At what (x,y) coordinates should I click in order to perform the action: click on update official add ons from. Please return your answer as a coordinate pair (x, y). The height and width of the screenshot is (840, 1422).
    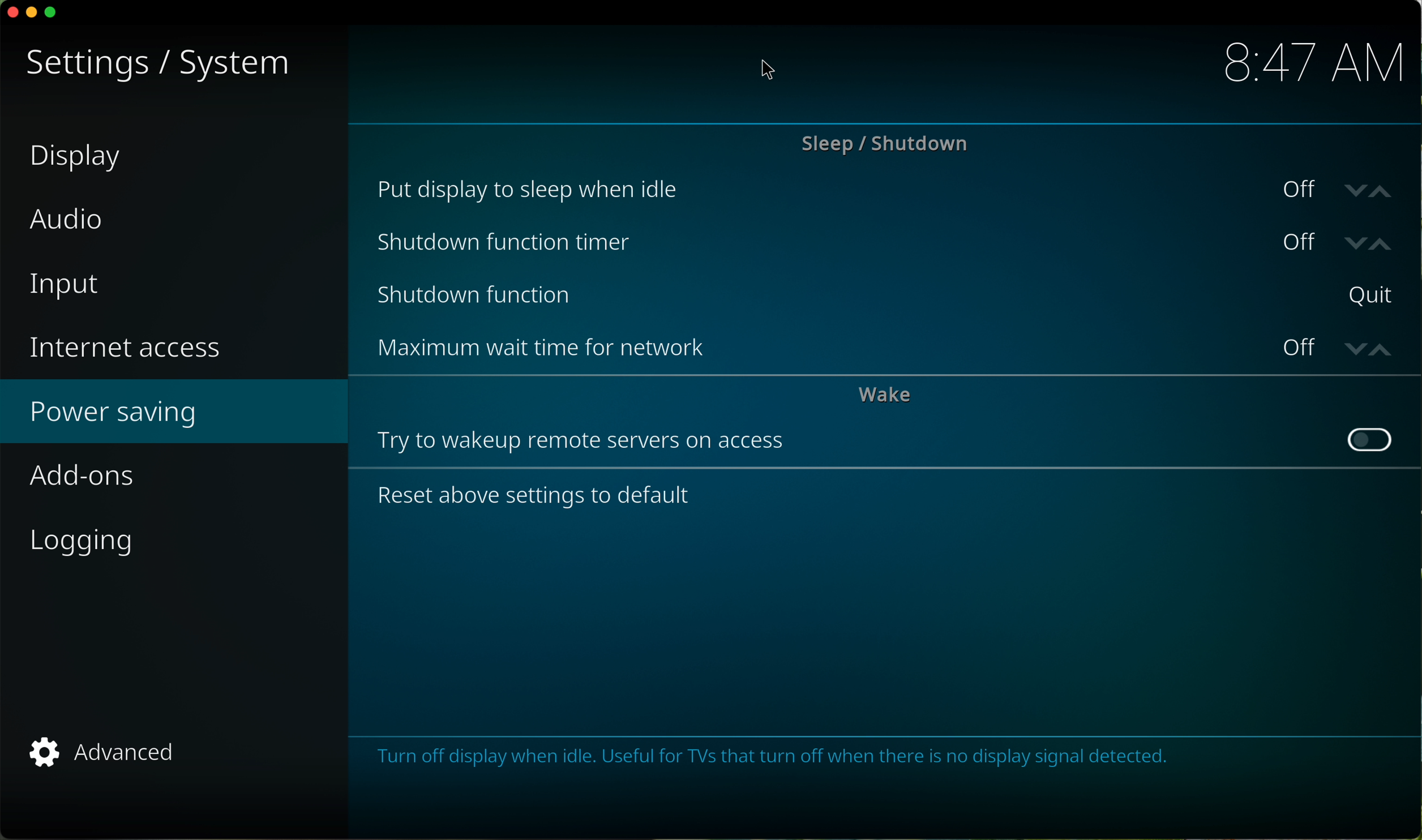
    Looking at the image, I should click on (889, 498).